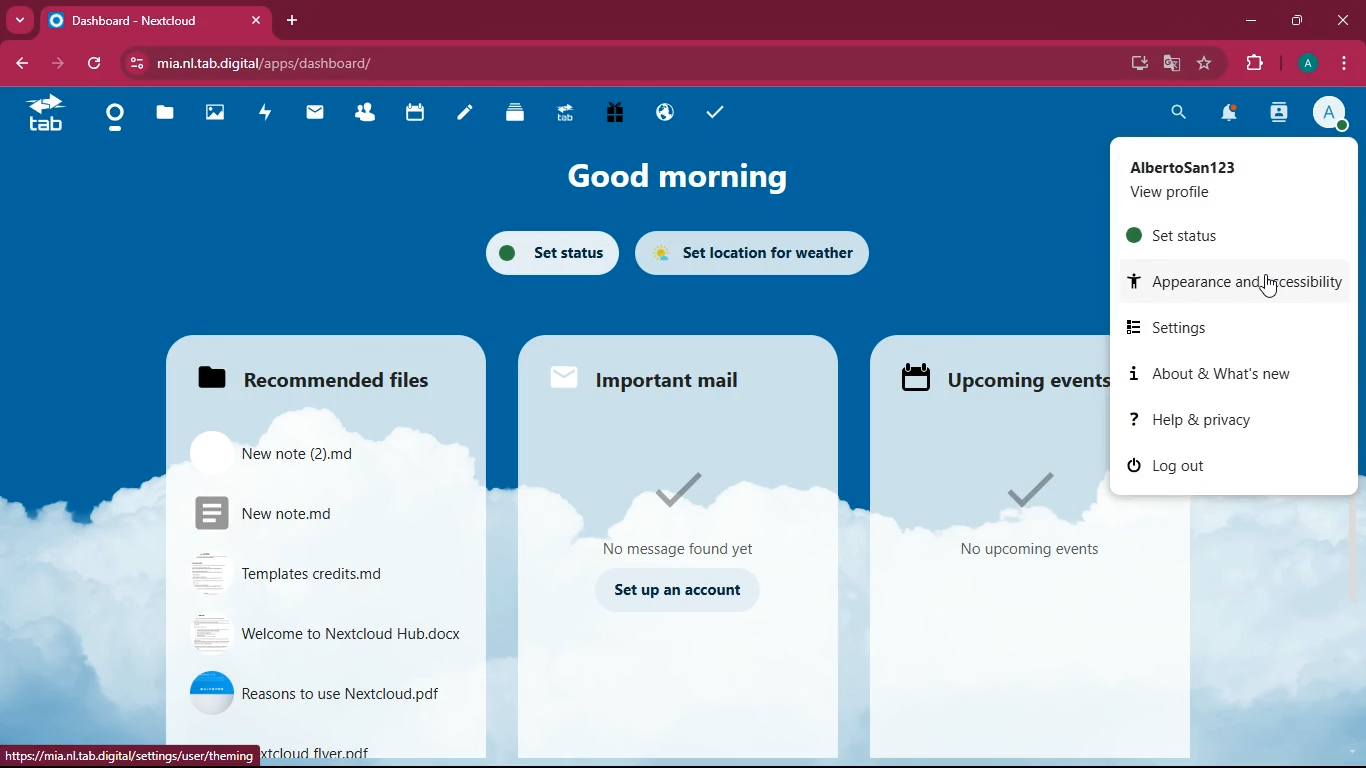 This screenshot has width=1366, height=768. What do you see at coordinates (266, 112) in the screenshot?
I see `activity` at bounding box center [266, 112].